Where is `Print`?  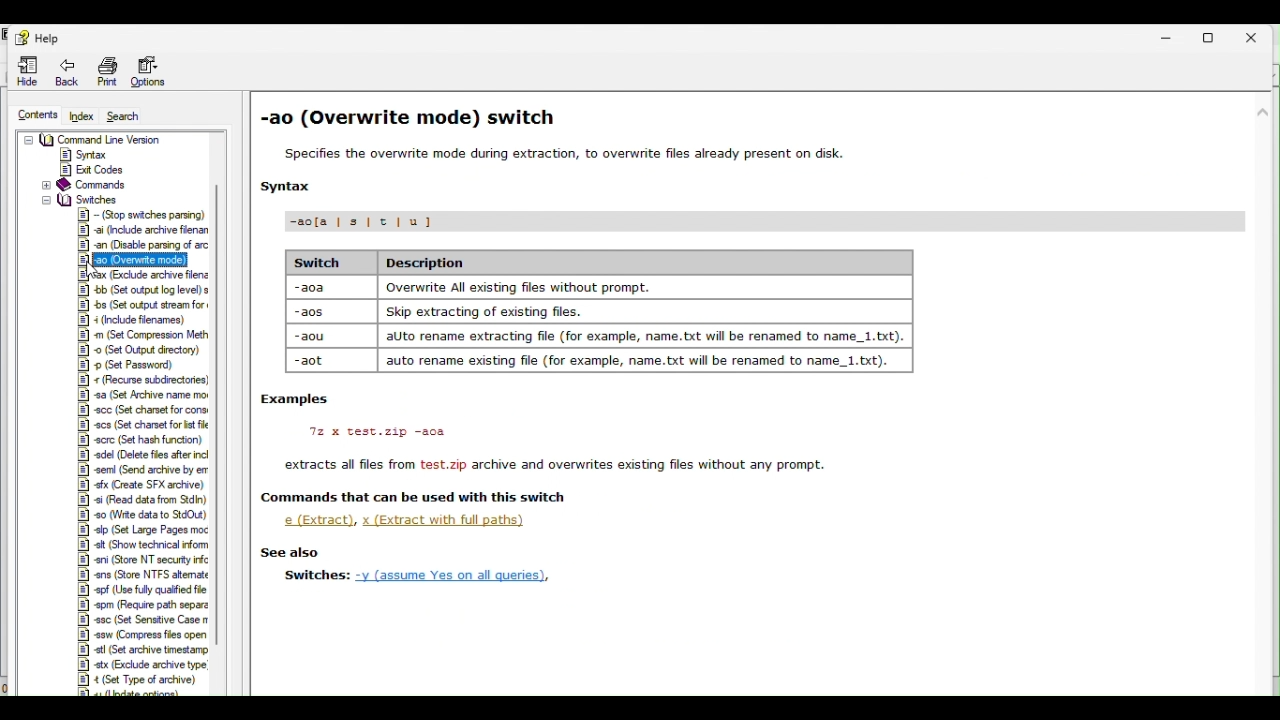
Print is located at coordinates (109, 72).